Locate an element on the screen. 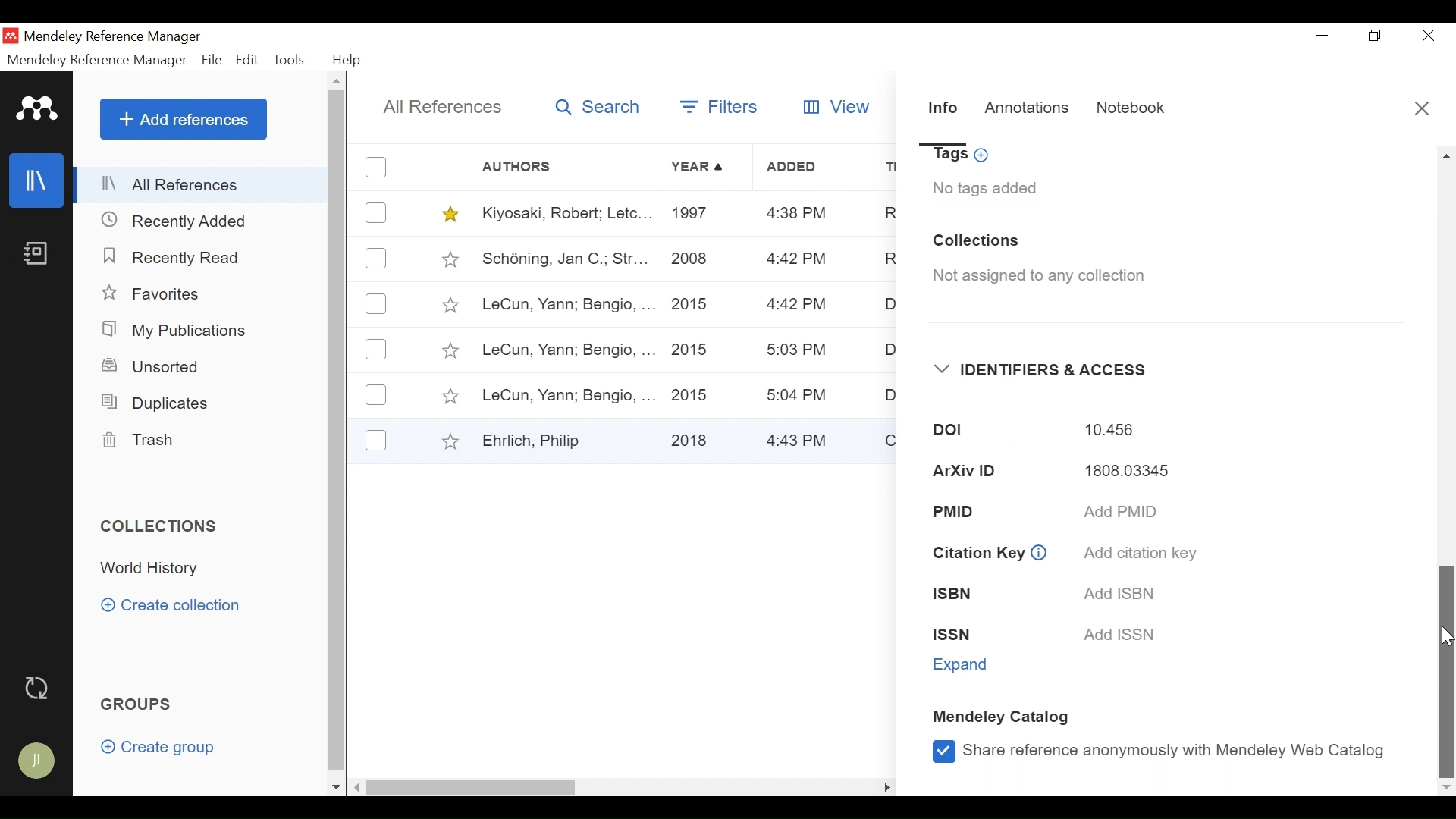 This screenshot has height=819, width=1456. Select Share reference anonymously with Mendeley Web Catalog is located at coordinates (1157, 750).